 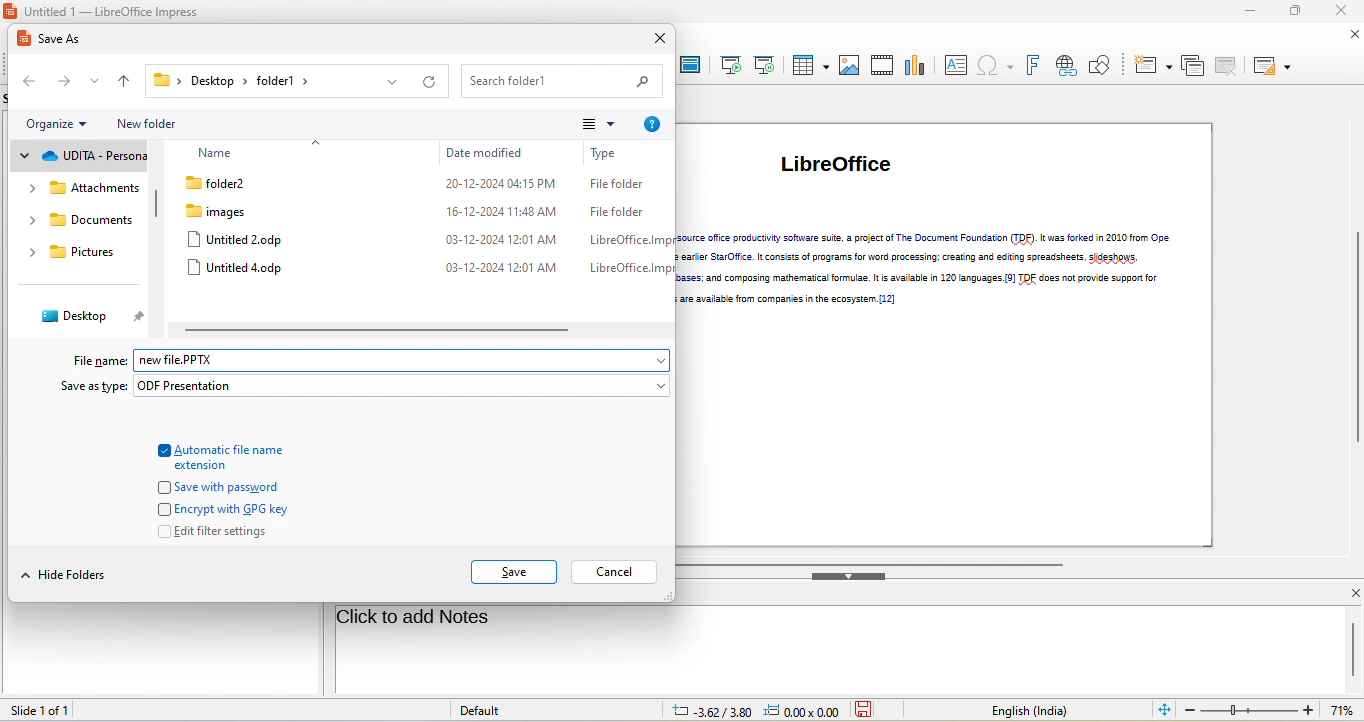 What do you see at coordinates (72, 251) in the screenshot?
I see `pictures` at bounding box center [72, 251].